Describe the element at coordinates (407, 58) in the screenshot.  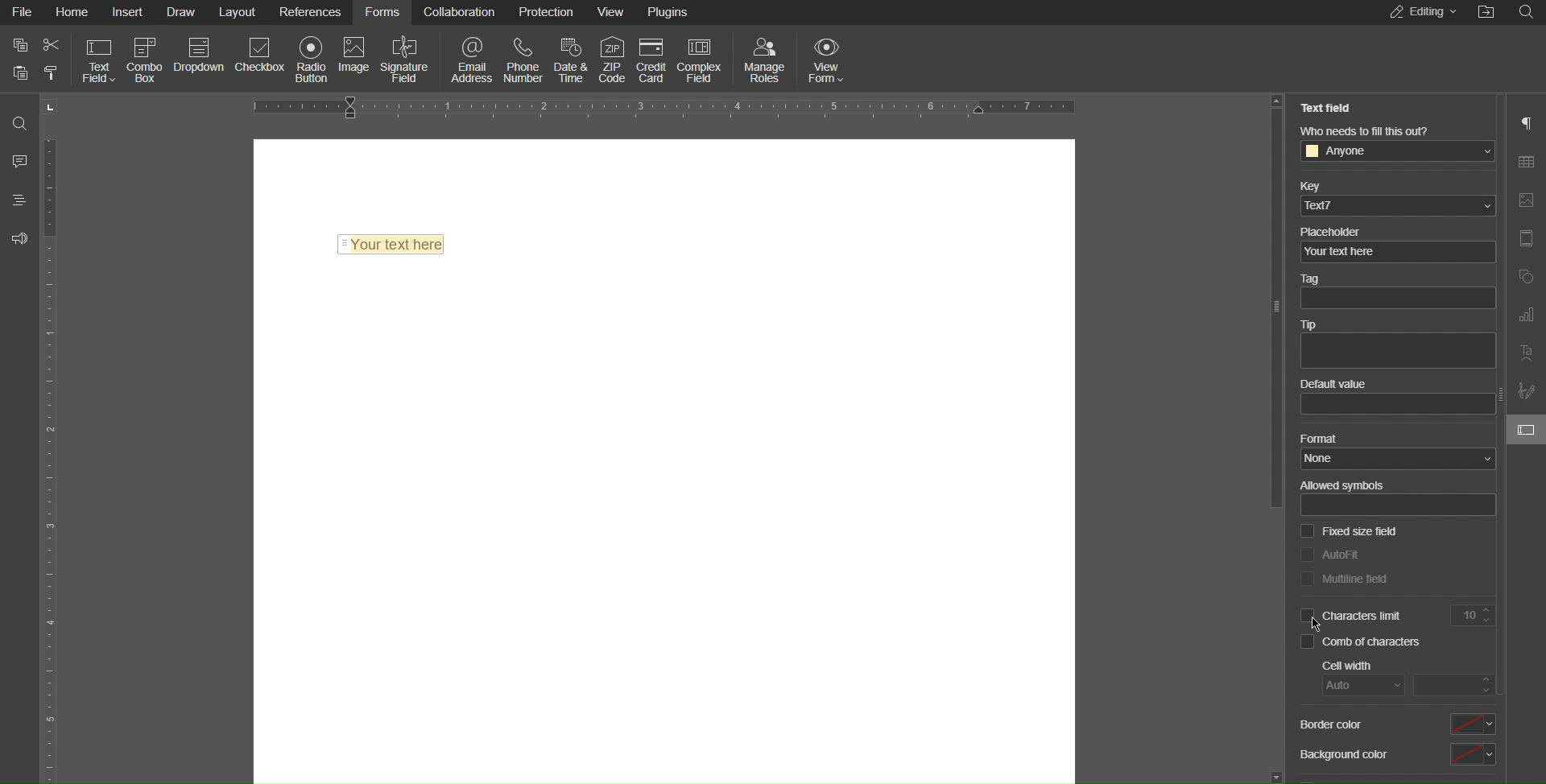
I see `Signature Field` at that location.